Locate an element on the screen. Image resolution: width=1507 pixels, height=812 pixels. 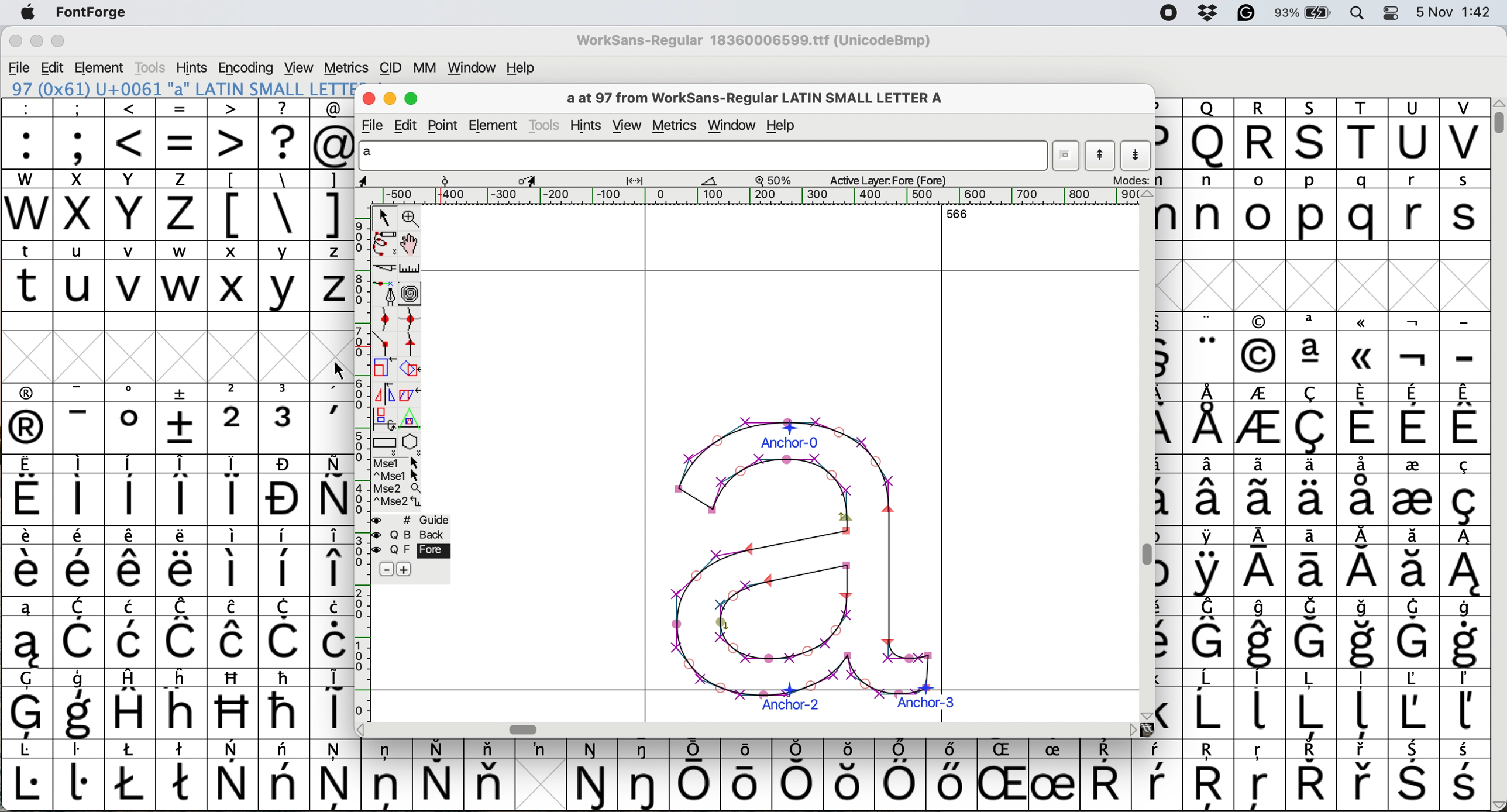
z is located at coordinates (331, 276).